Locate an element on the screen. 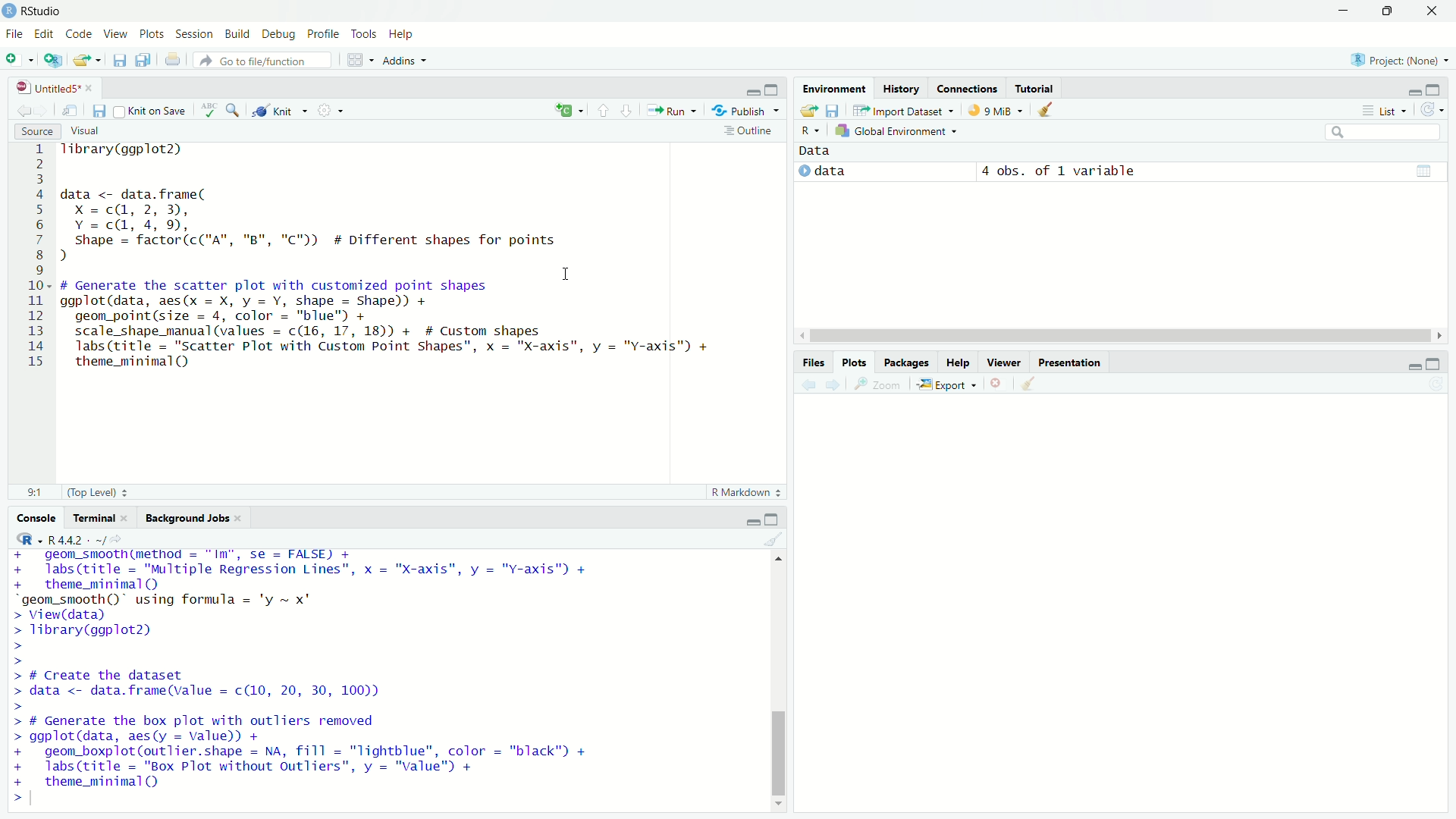 This screenshot has height=819, width=1456. Print the current file is located at coordinates (173, 59).